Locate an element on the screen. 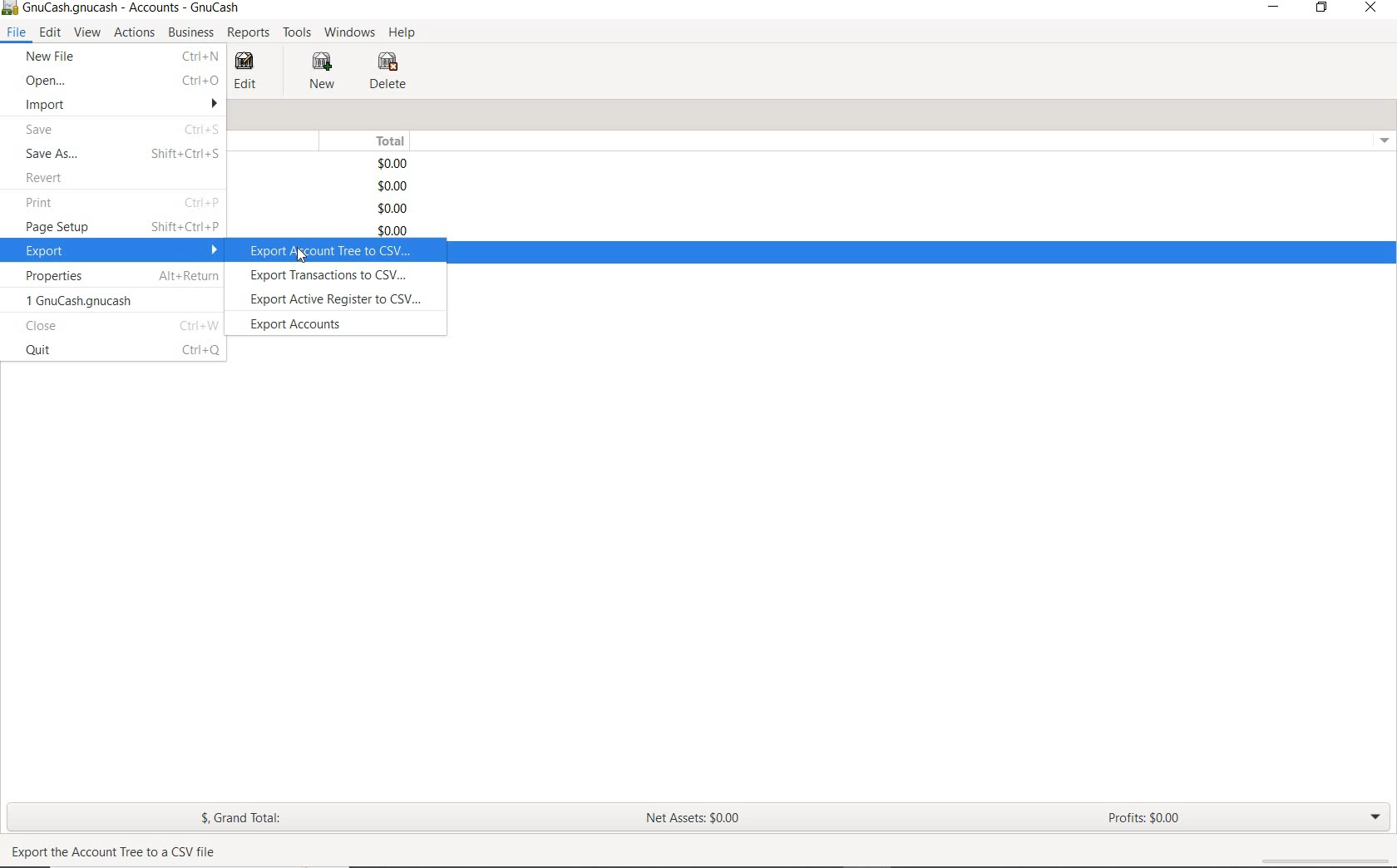  export account tree to csv is located at coordinates (335, 251).